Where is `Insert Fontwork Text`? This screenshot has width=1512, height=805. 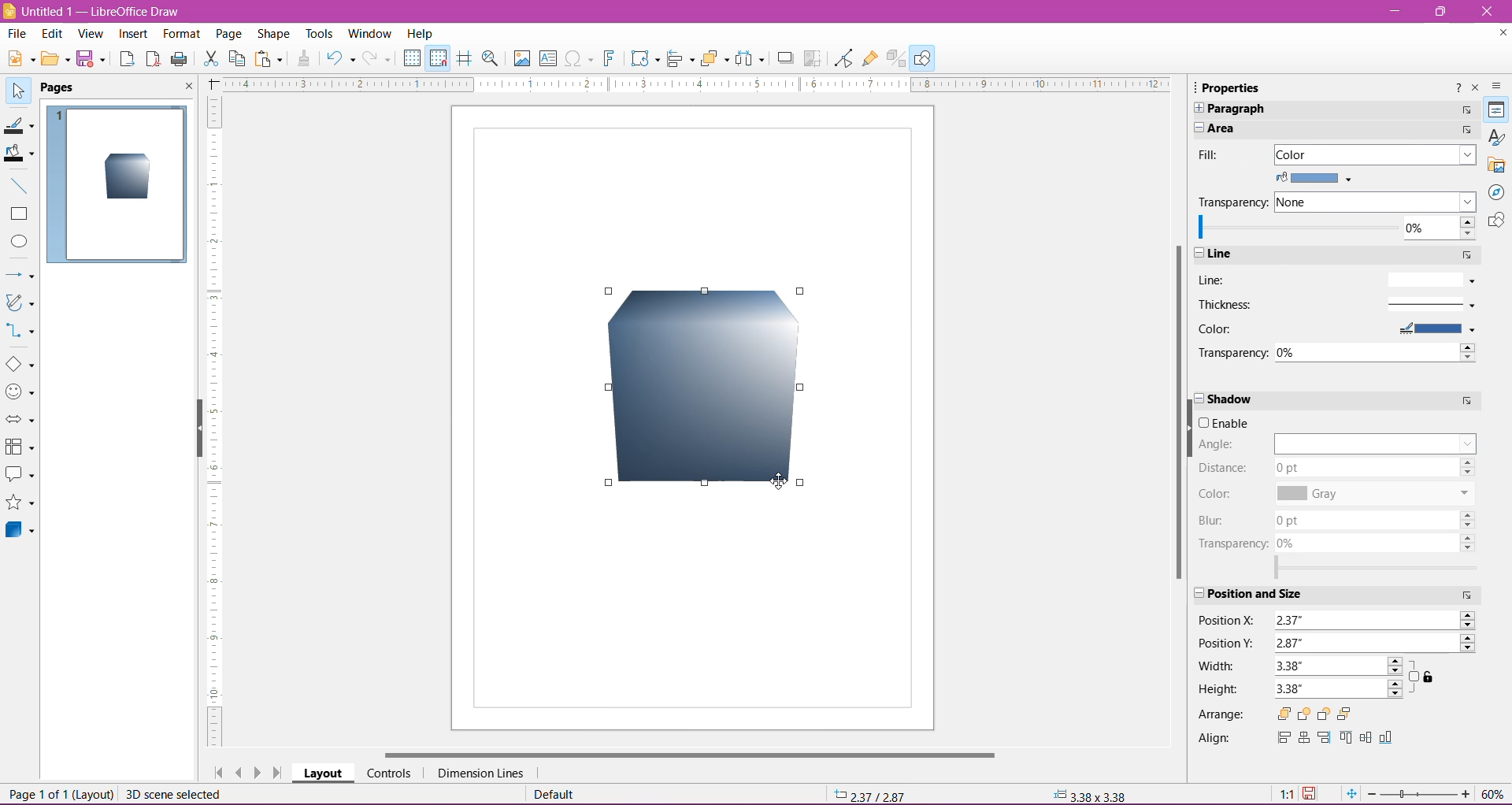
Insert Fontwork Text is located at coordinates (610, 58).